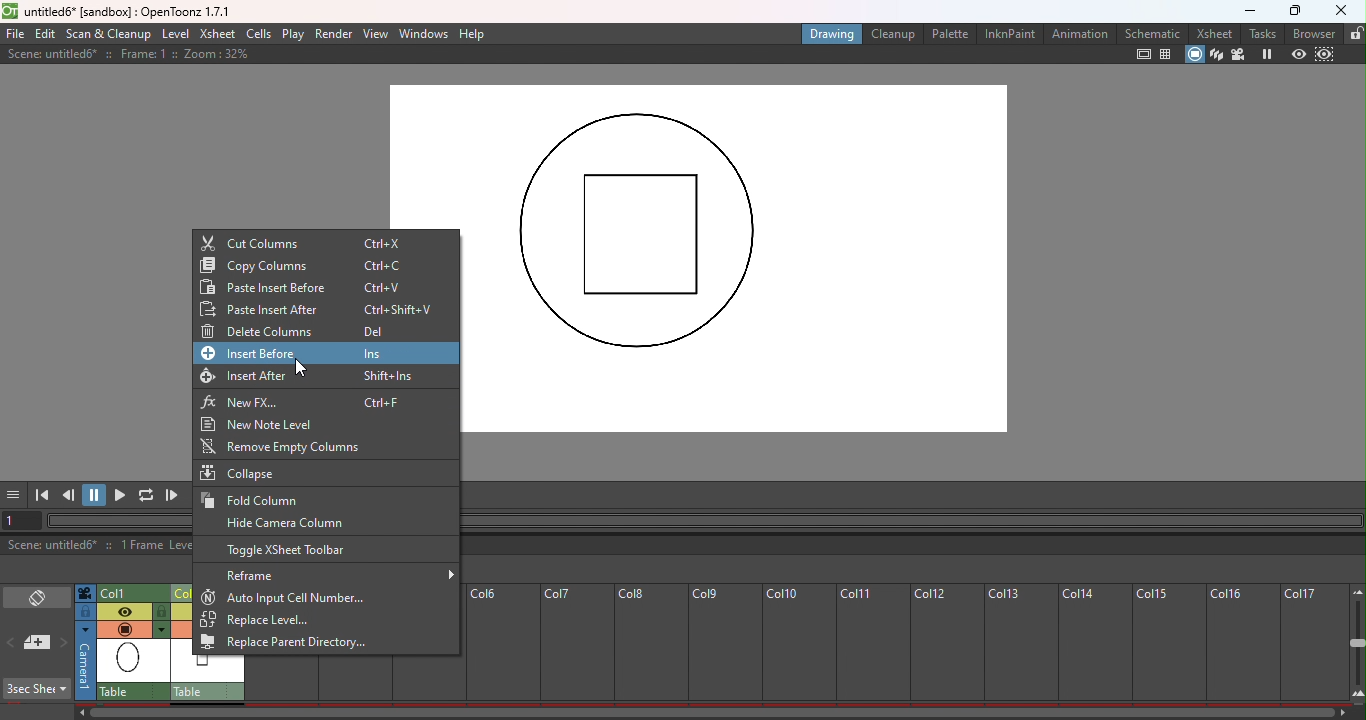 The image size is (1366, 720). Describe the element at coordinates (1078, 33) in the screenshot. I see `Animation` at that location.